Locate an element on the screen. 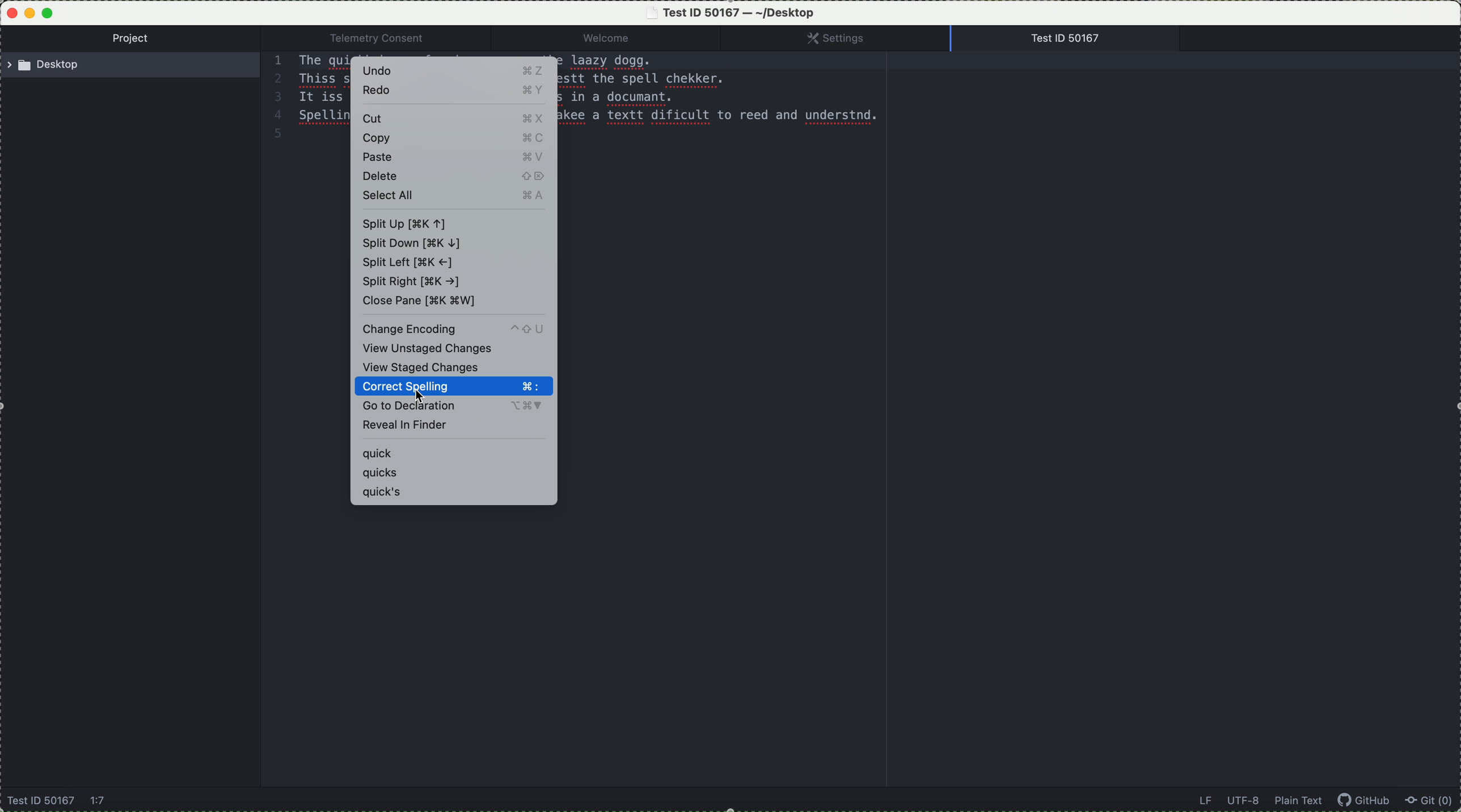  quick's is located at coordinates (382, 492).